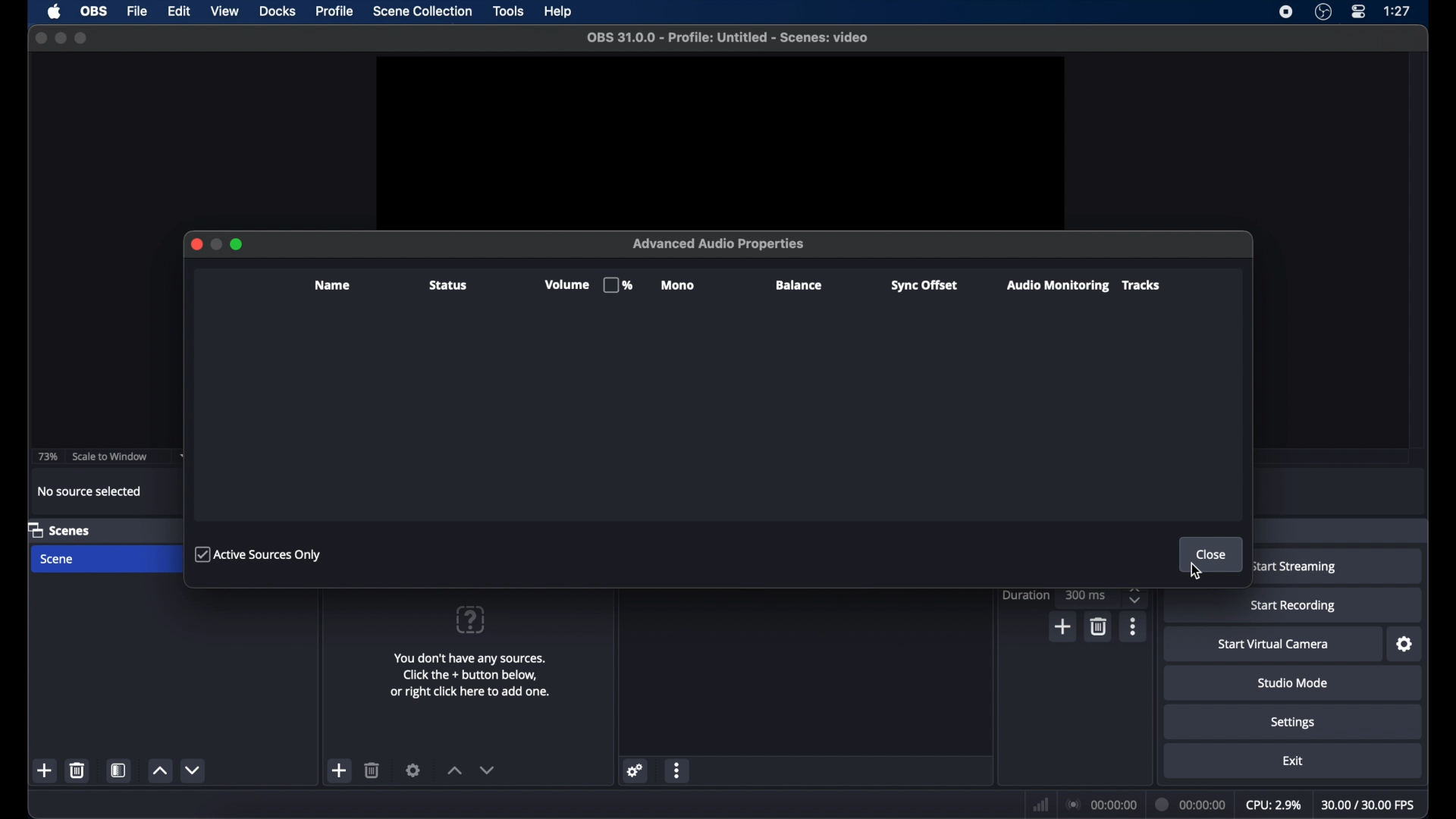  What do you see at coordinates (1292, 683) in the screenshot?
I see `studio mode` at bounding box center [1292, 683].